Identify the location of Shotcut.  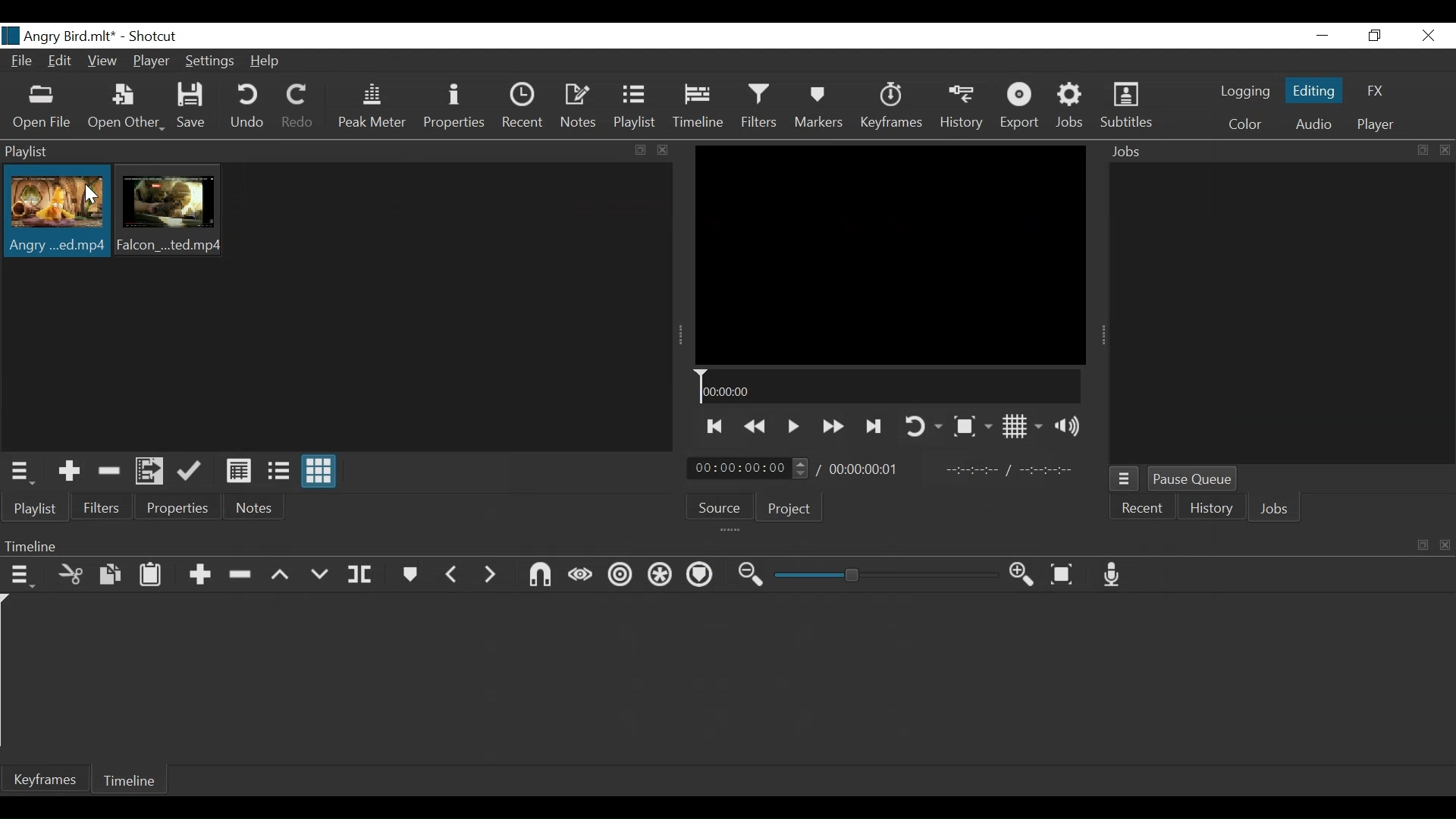
(152, 37).